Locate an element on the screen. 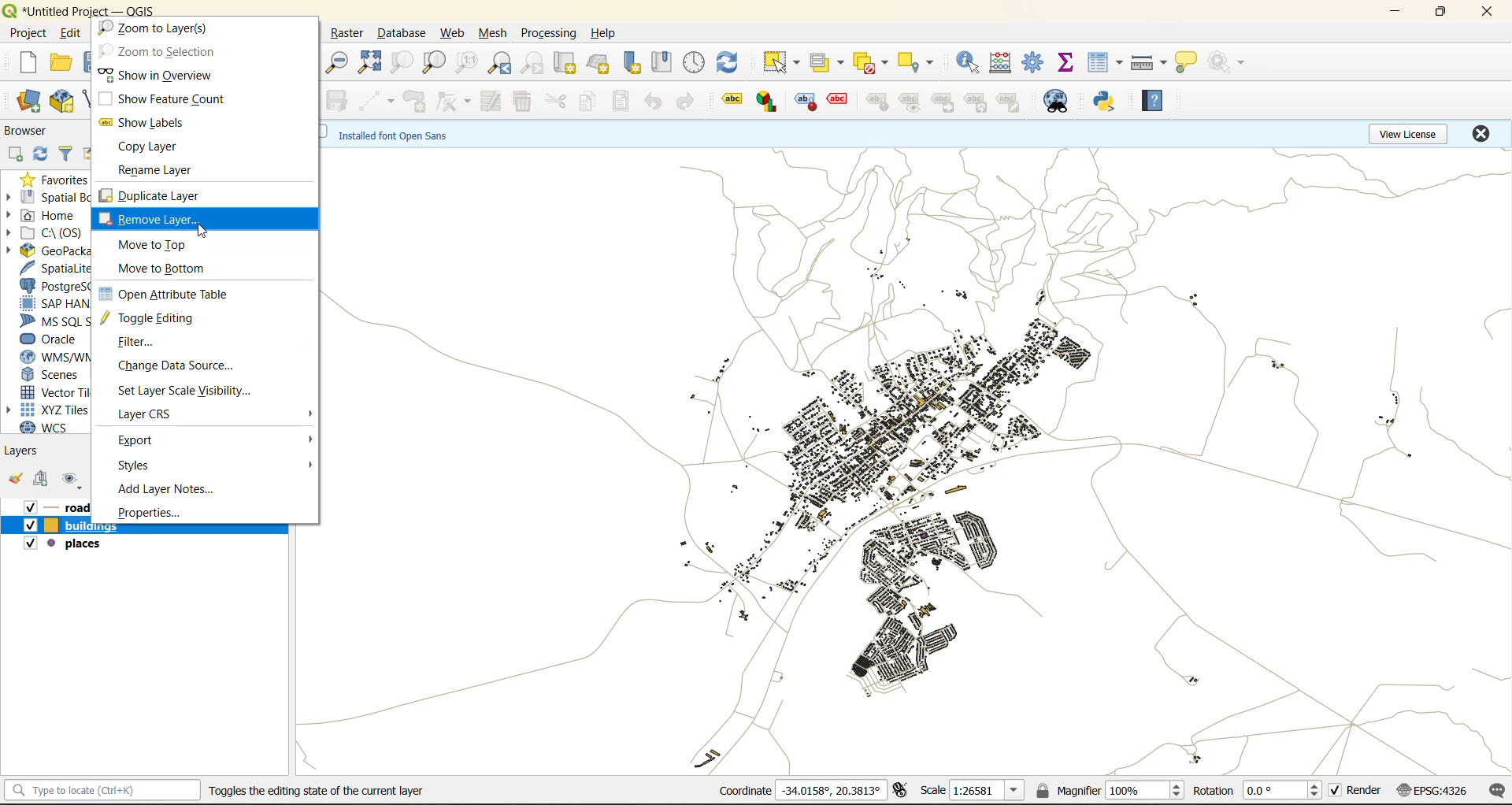  new spatial bookmark is located at coordinates (633, 61).